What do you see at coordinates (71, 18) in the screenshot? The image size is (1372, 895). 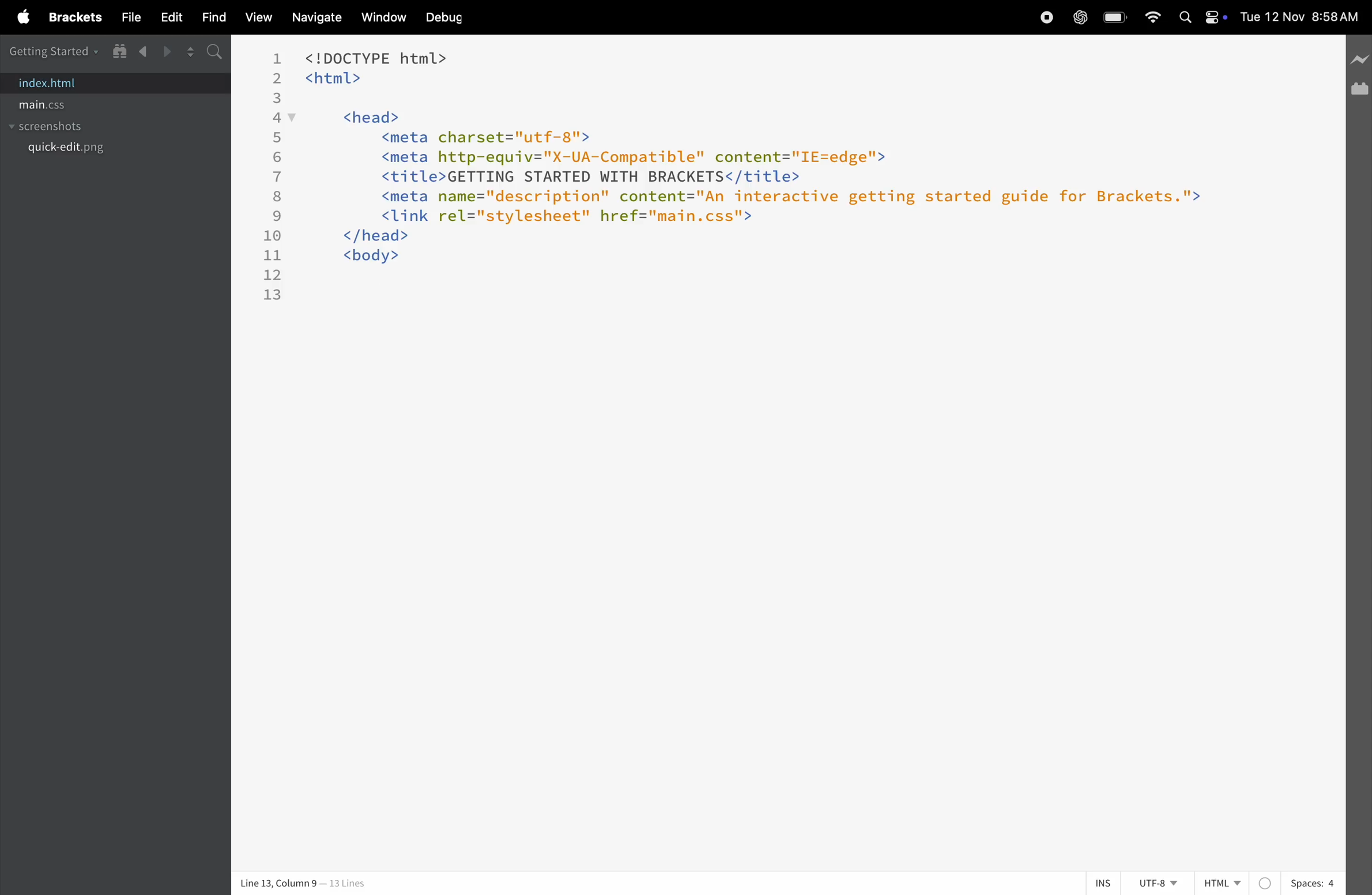 I see `brackets` at bounding box center [71, 18].